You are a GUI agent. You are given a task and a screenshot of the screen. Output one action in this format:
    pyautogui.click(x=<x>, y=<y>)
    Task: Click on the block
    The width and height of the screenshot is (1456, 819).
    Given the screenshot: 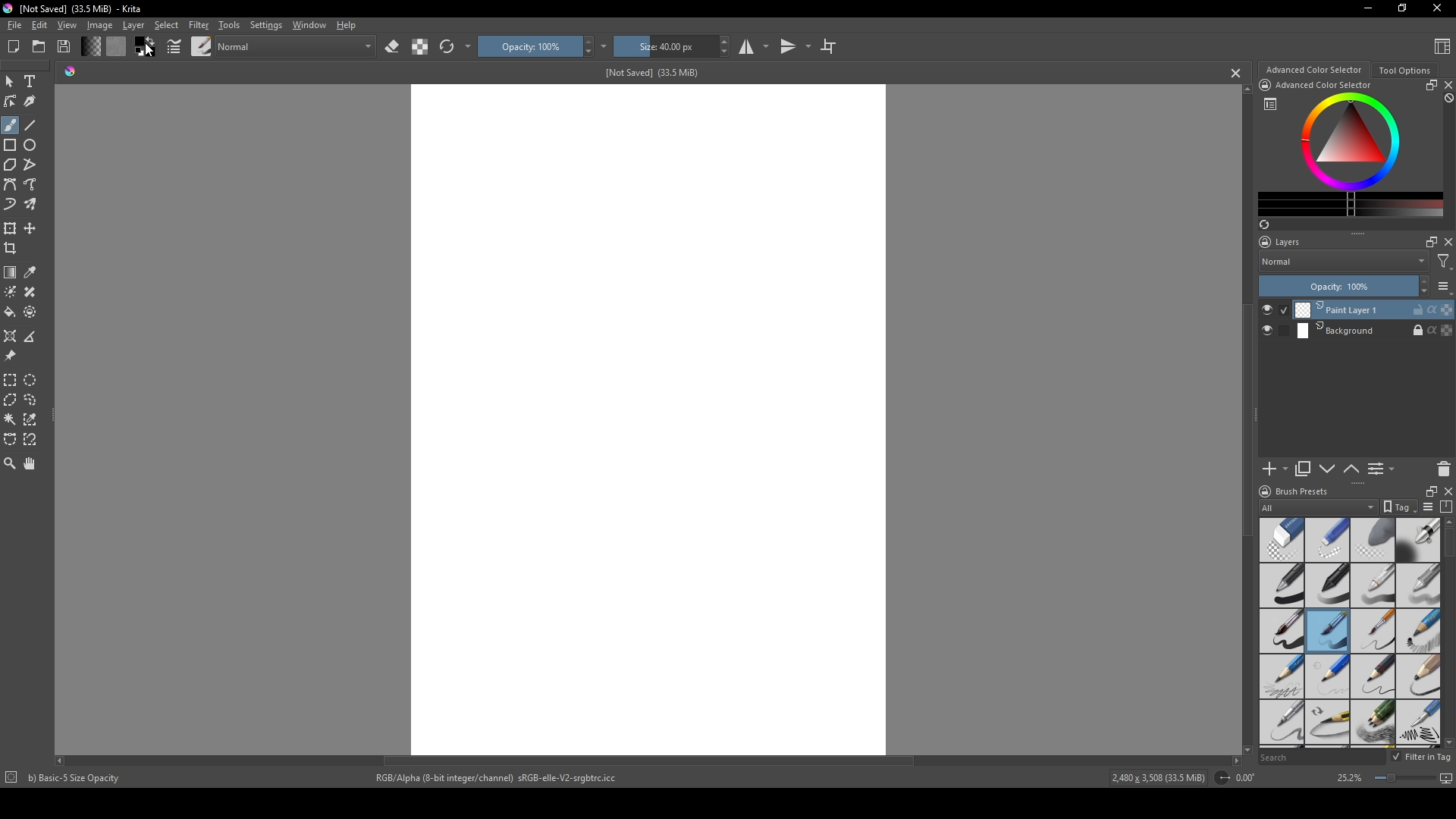 What is the action you would take?
    pyautogui.click(x=1447, y=99)
    